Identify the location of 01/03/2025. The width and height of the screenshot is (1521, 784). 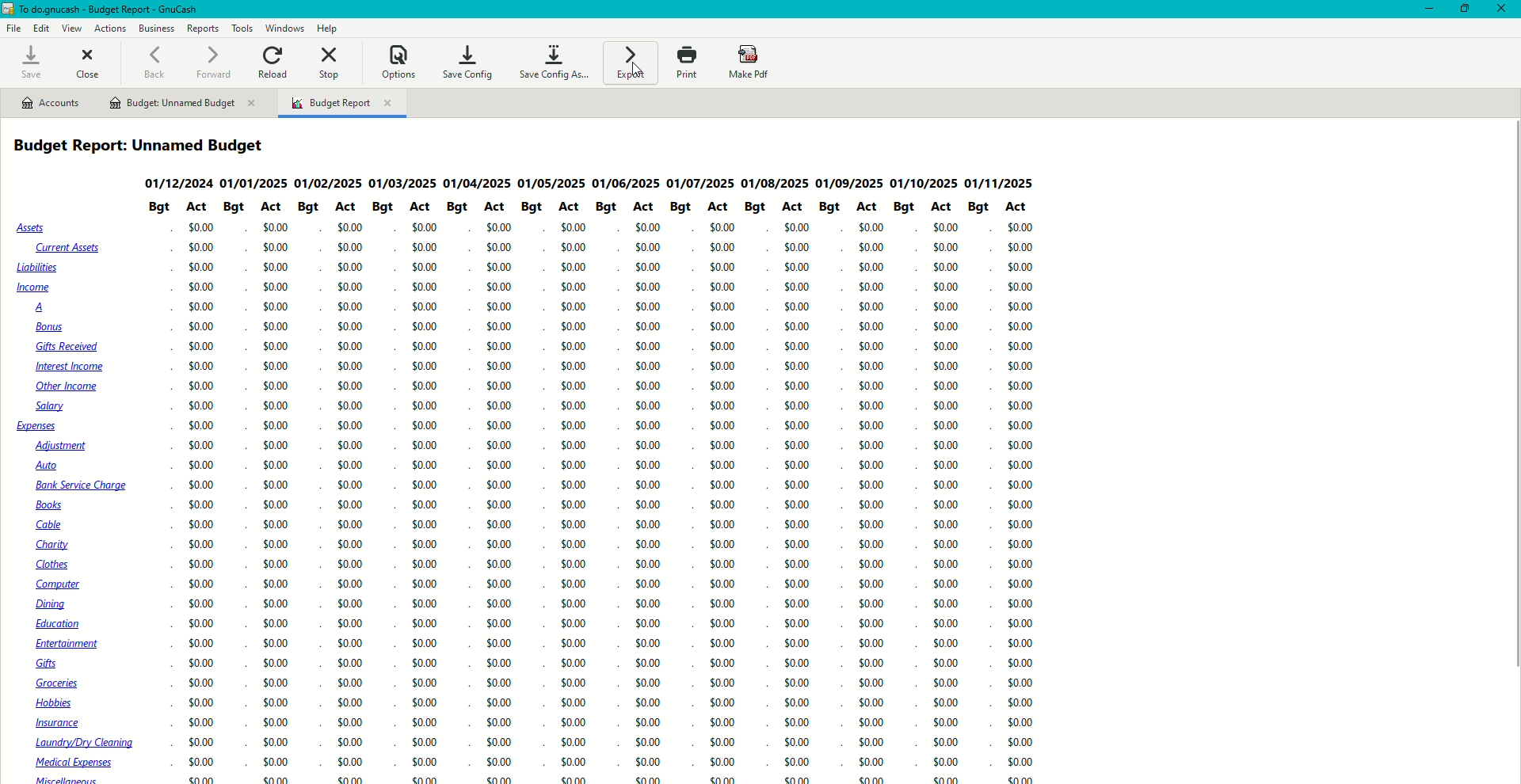
(400, 185).